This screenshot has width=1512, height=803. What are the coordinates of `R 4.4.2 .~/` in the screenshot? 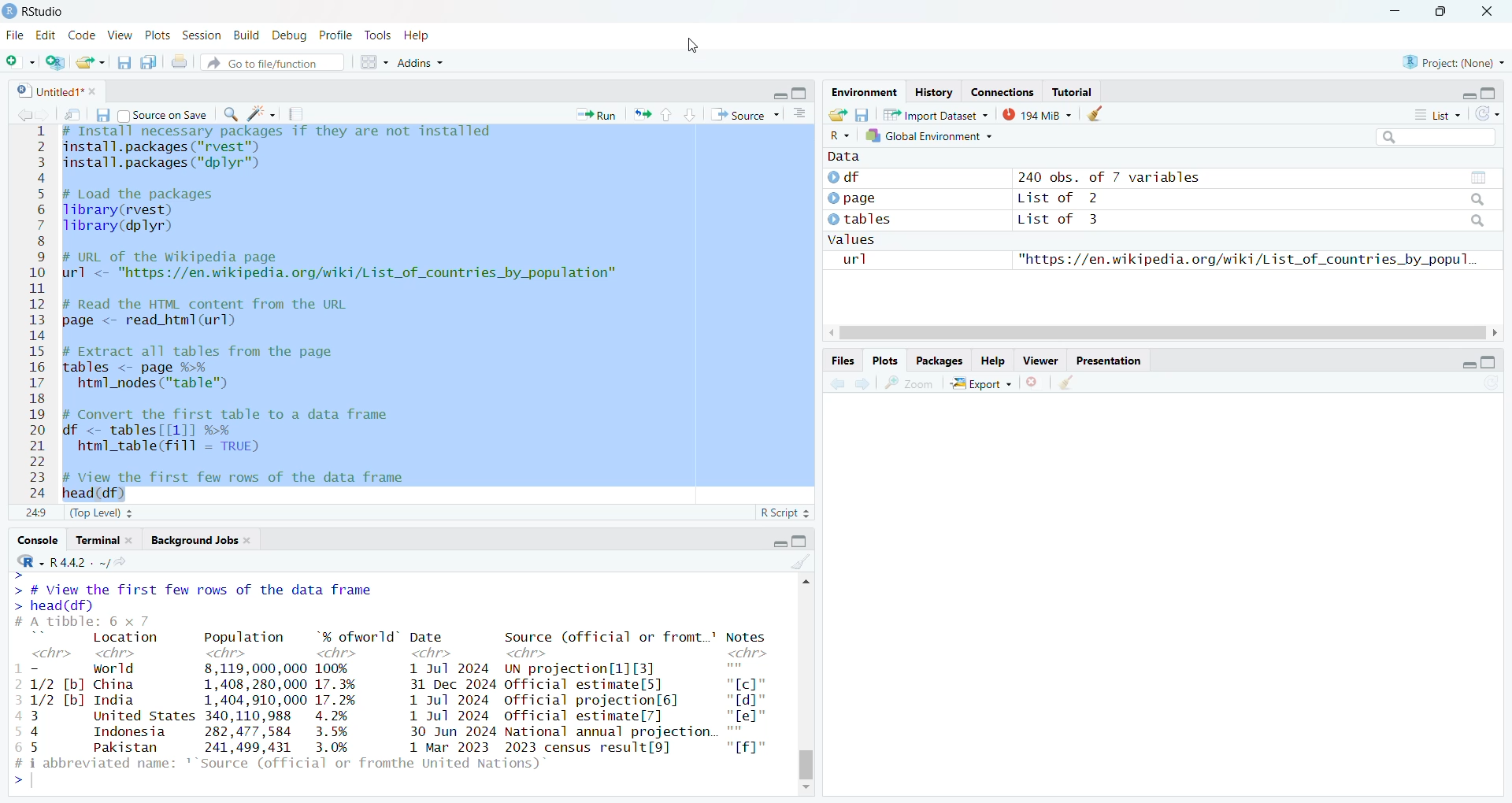 It's located at (94, 561).